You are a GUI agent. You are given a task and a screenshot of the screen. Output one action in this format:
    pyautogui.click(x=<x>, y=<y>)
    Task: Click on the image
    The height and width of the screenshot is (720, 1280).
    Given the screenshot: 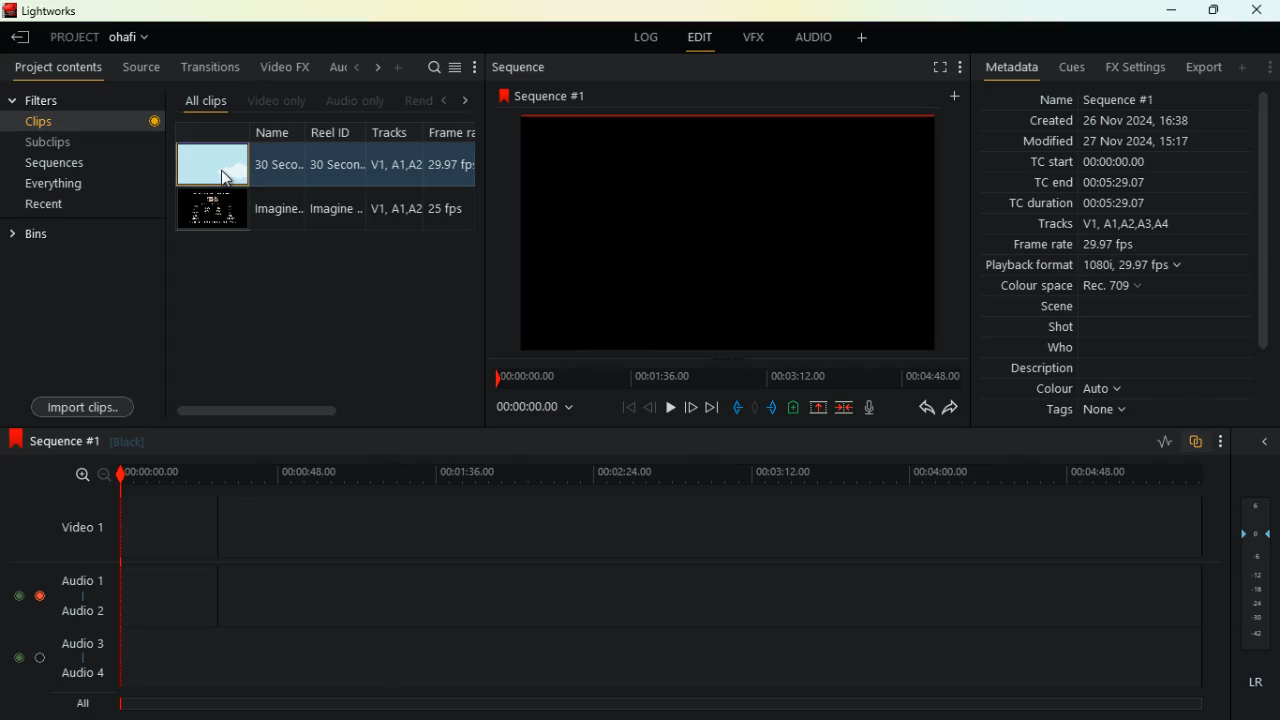 What is the action you would take?
    pyautogui.click(x=723, y=231)
    